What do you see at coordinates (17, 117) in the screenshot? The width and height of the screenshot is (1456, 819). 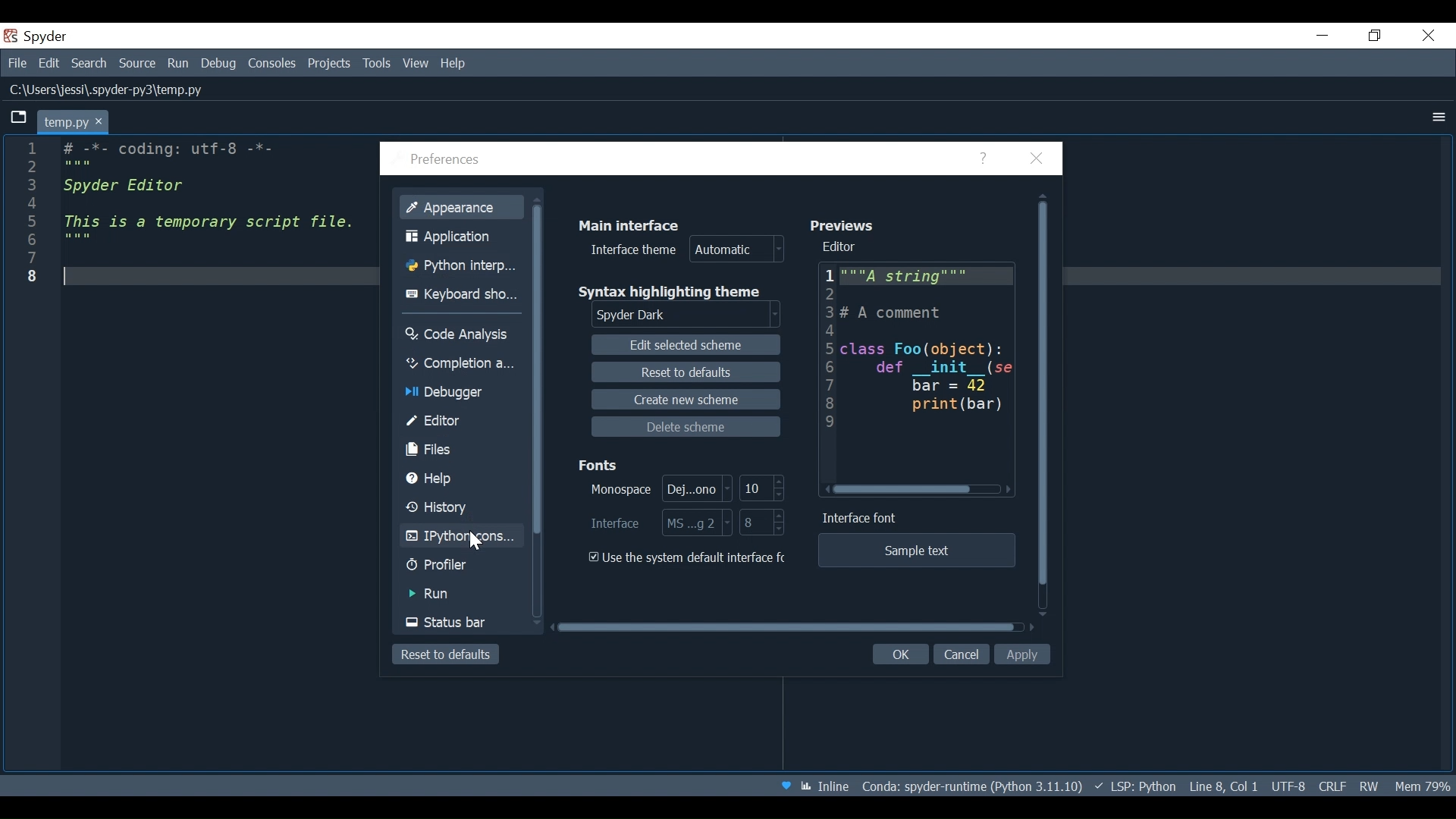 I see `Browse tab` at bounding box center [17, 117].